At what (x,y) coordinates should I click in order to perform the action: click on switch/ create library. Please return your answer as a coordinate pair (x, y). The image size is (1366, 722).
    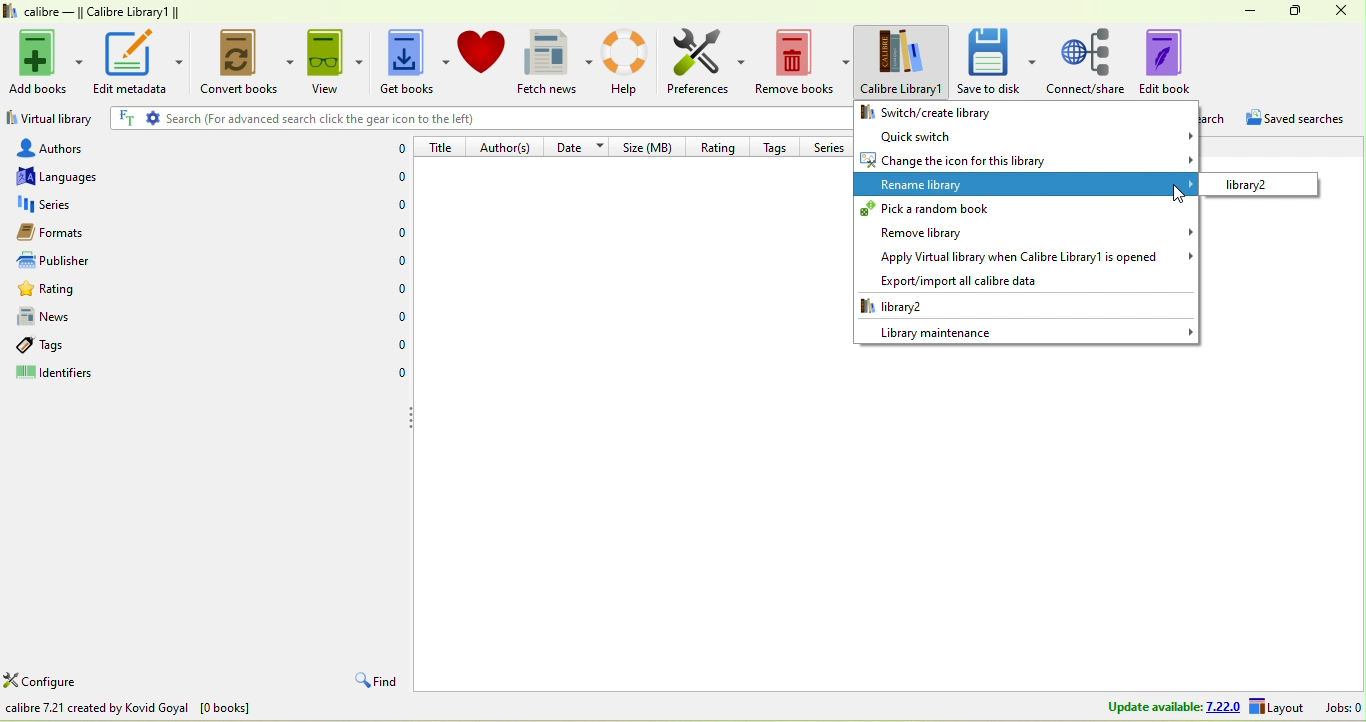
    Looking at the image, I should click on (965, 111).